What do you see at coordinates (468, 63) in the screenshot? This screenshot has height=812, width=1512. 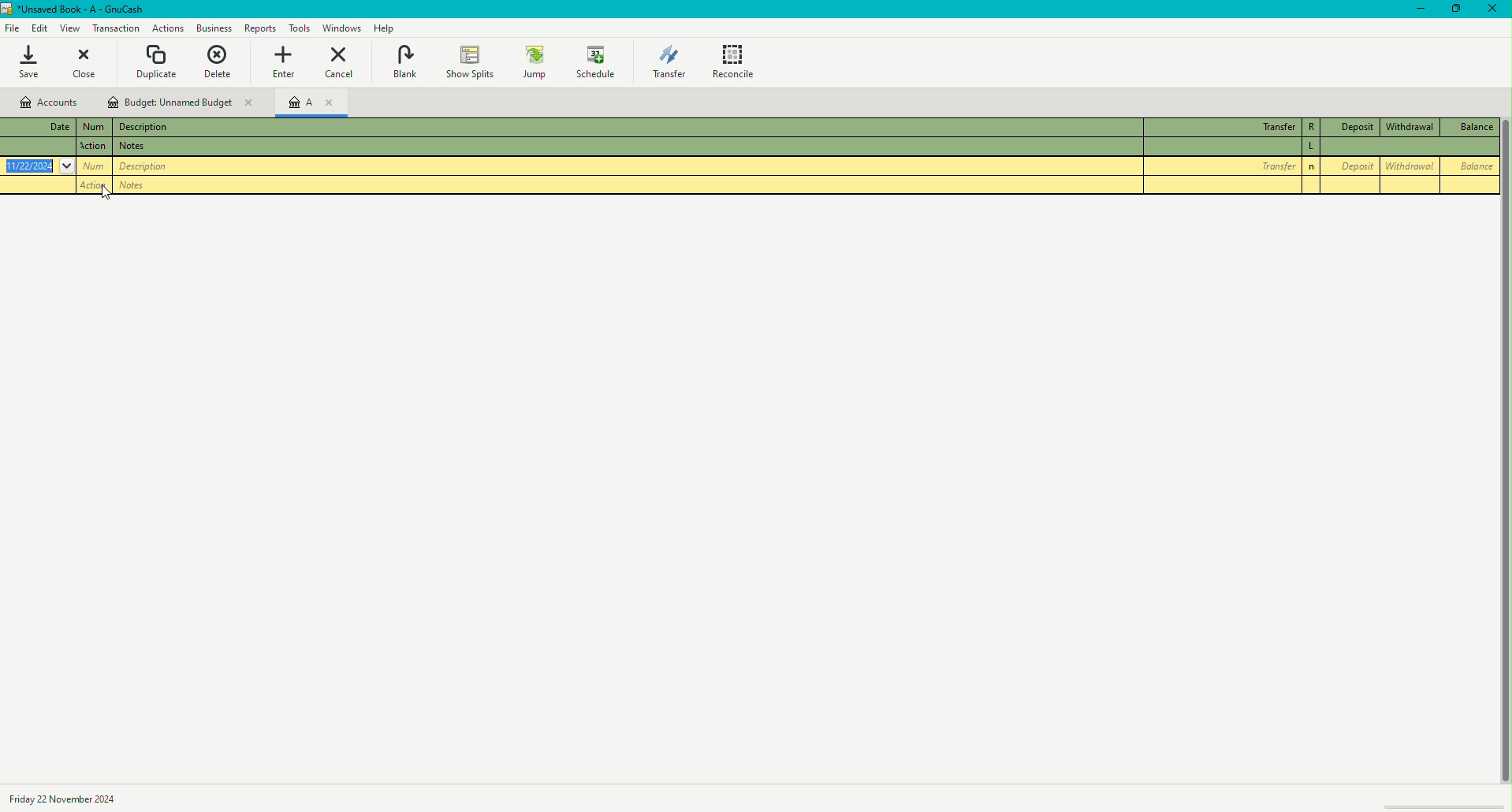 I see `Show Splits` at bounding box center [468, 63].